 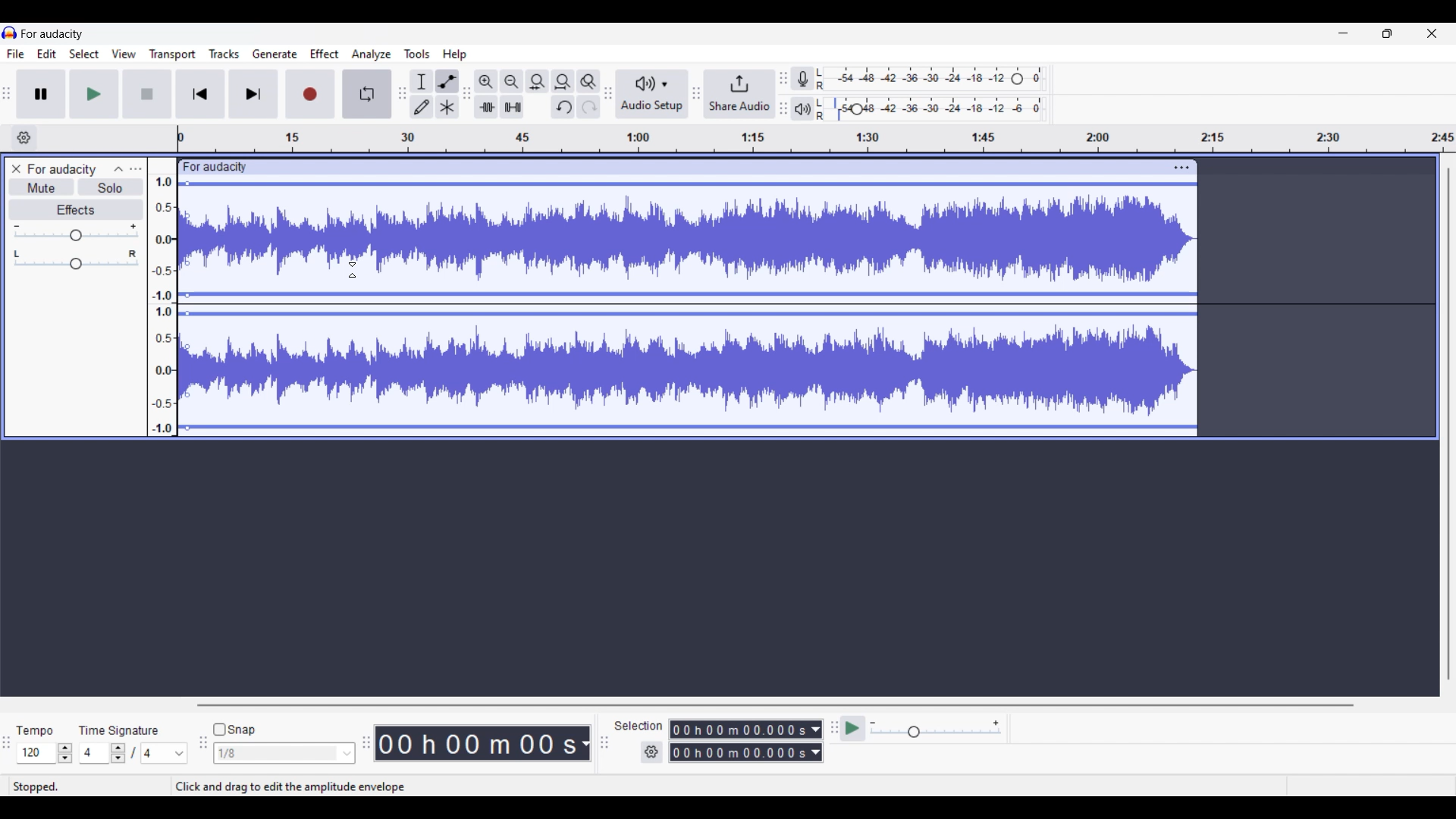 I want to click on Vertical slide bar, so click(x=1449, y=425).